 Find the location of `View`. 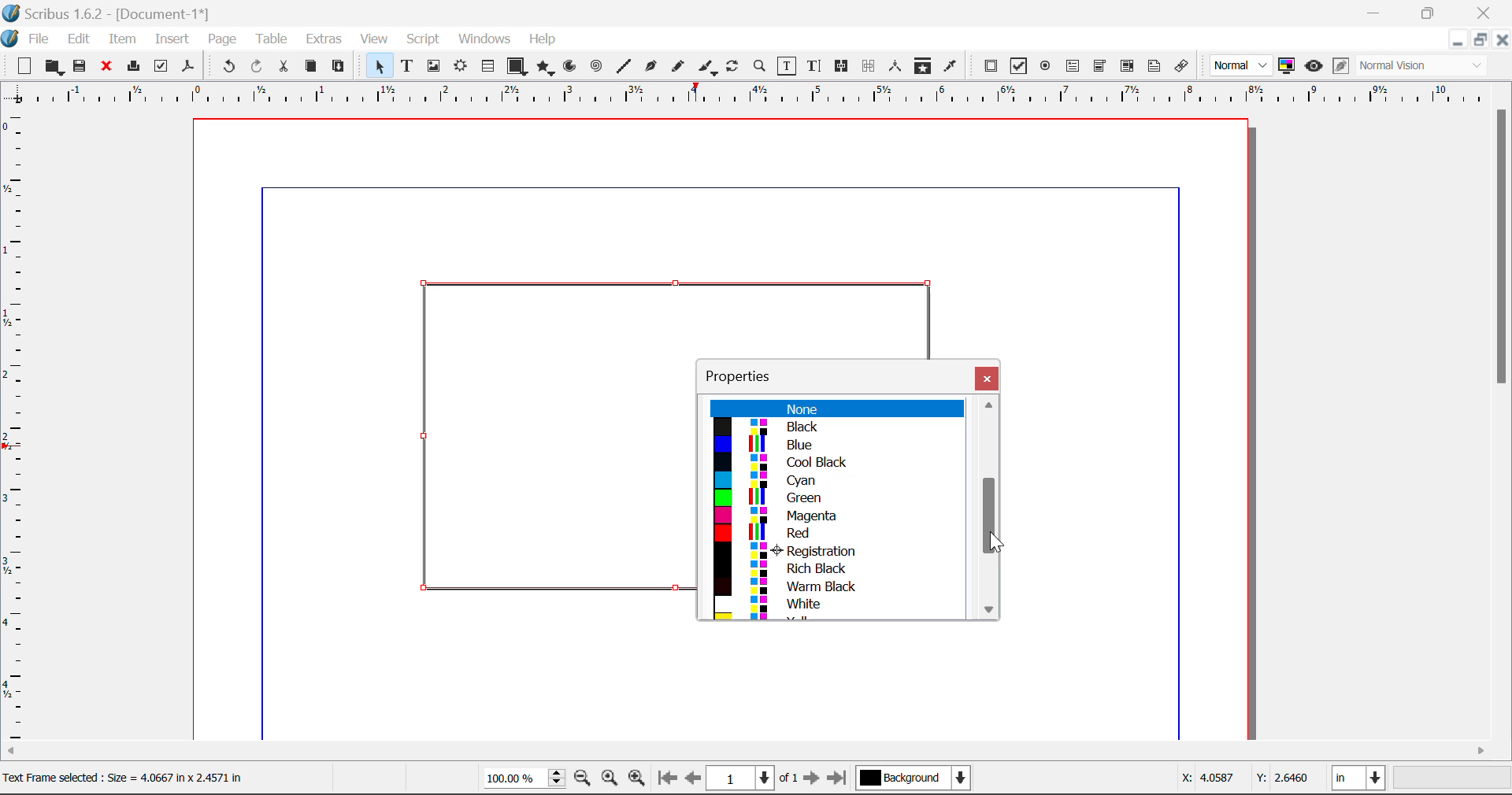

View is located at coordinates (375, 40).